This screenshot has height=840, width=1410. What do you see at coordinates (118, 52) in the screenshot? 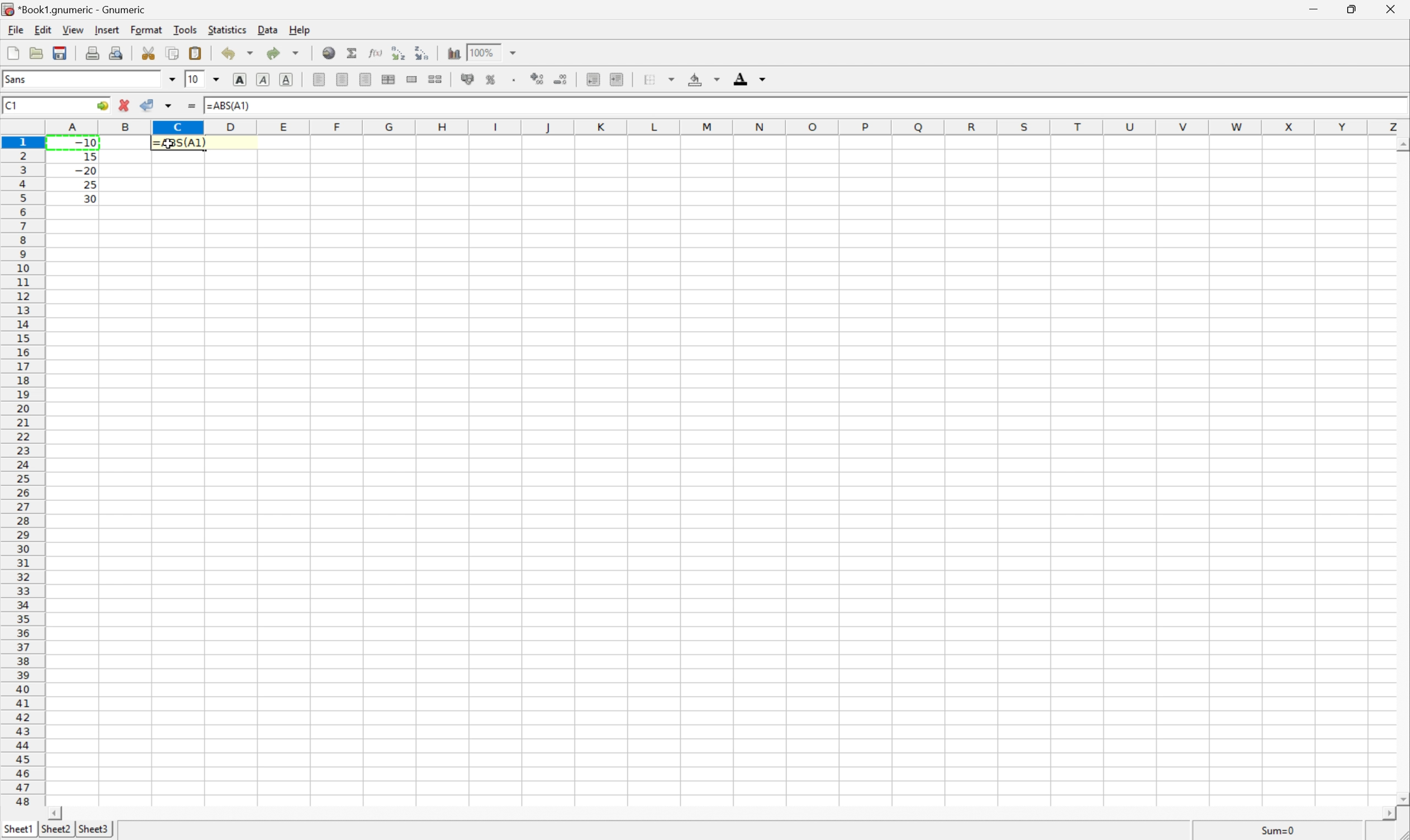
I see `Print preview` at bounding box center [118, 52].